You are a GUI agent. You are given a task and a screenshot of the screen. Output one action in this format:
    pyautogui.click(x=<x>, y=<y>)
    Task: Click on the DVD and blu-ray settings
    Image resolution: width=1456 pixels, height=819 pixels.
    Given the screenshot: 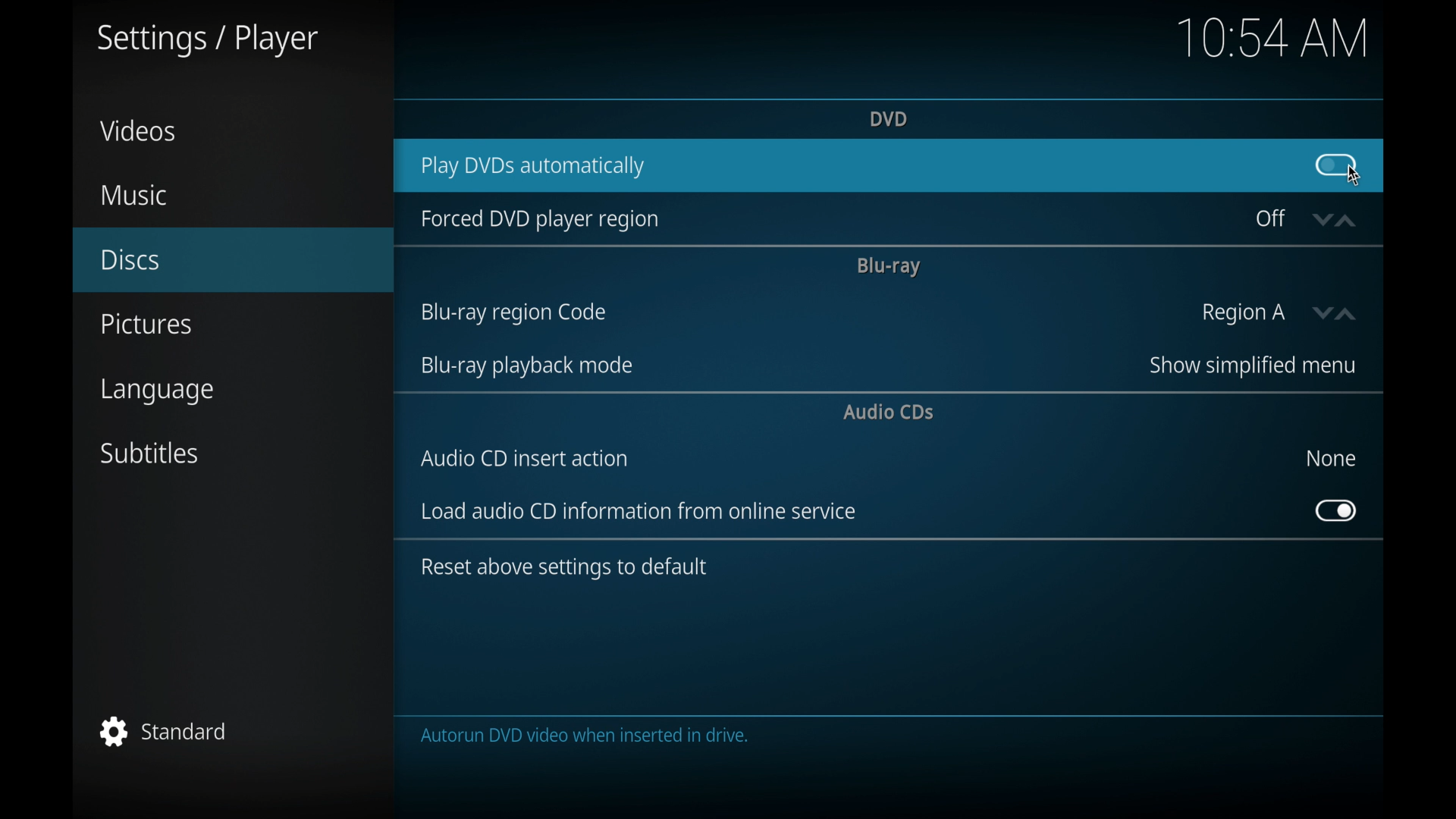 What is the action you would take?
    pyautogui.click(x=720, y=736)
    